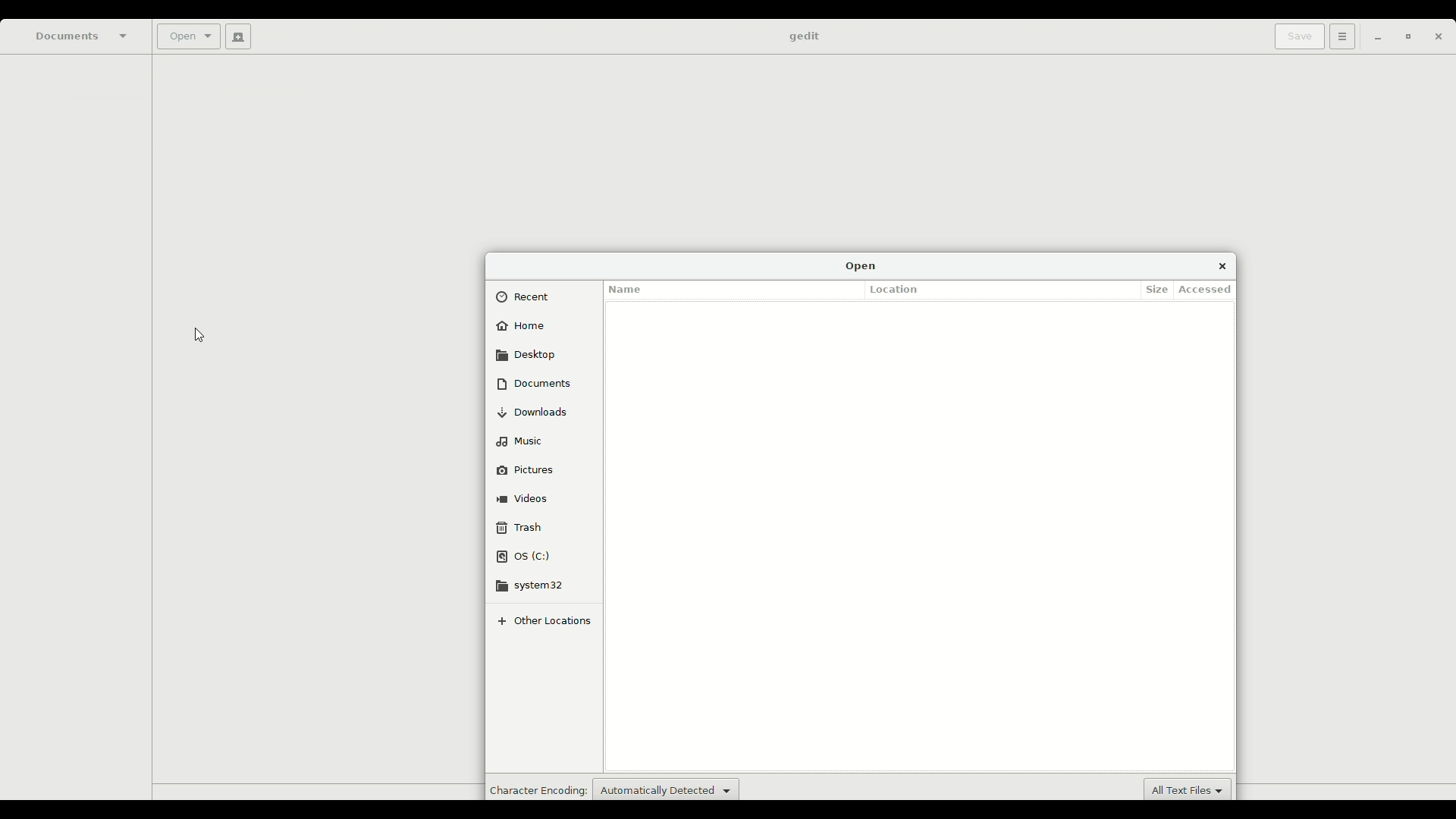 The width and height of the screenshot is (1456, 819). Describe the element at coordinates (523, 439) in the screenshot. I see `Music` at that location.